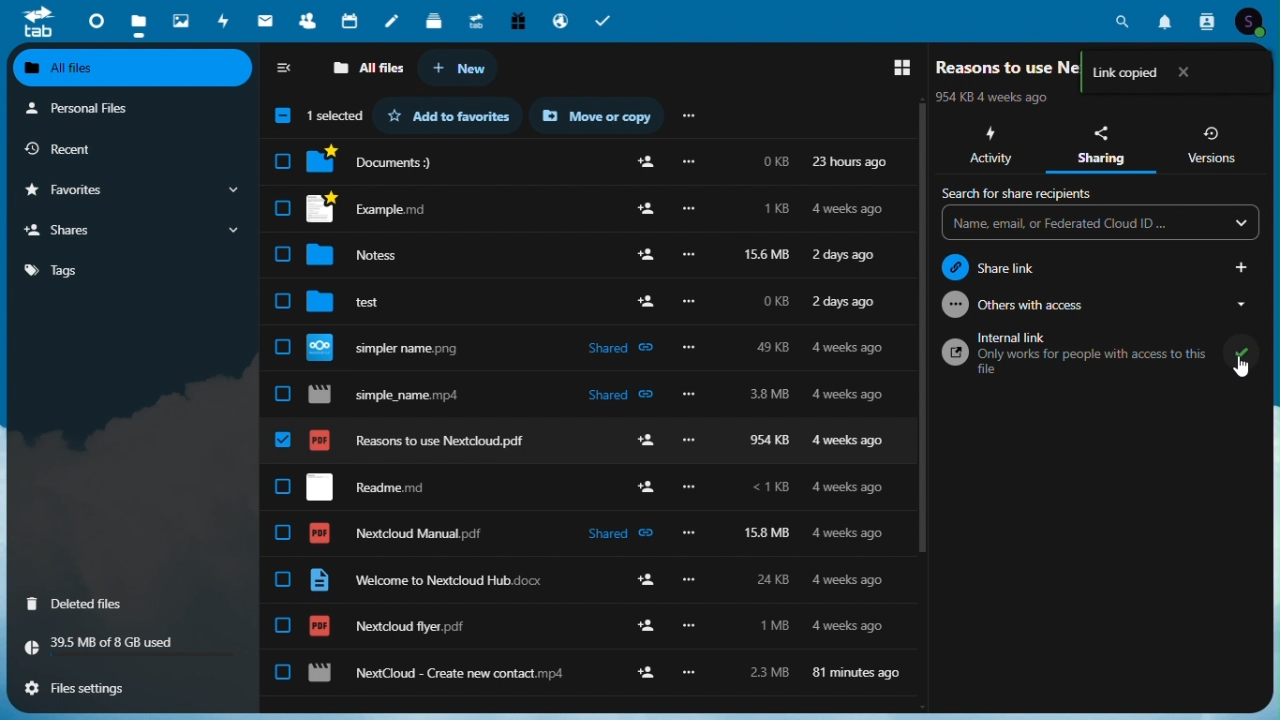 The height and width of the screenshot is (720, 1280). I want to click on 4 weeks ago, so click(846, 487).